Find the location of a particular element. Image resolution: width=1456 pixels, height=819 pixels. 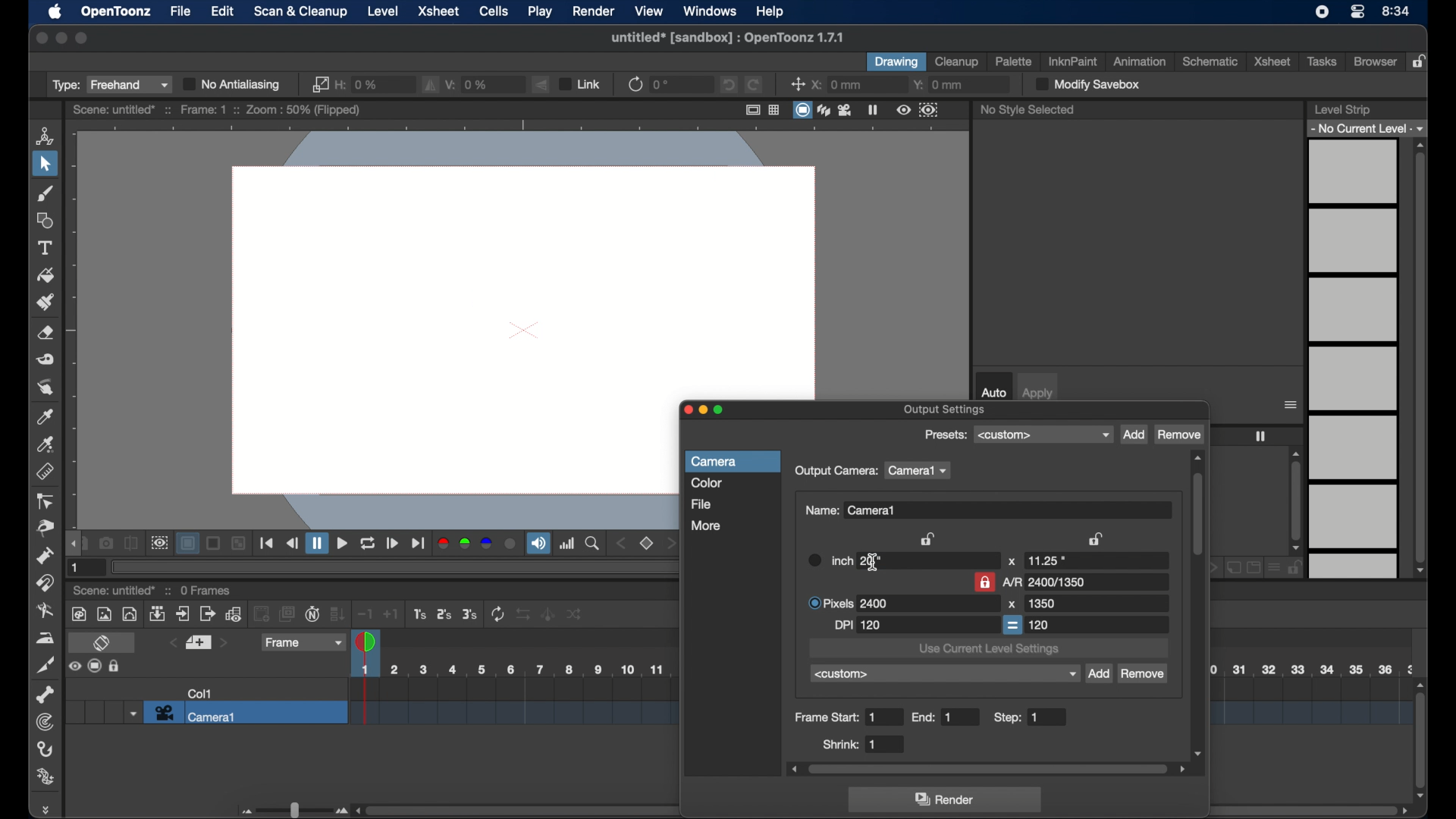

 is located at coordinates (79, 613).